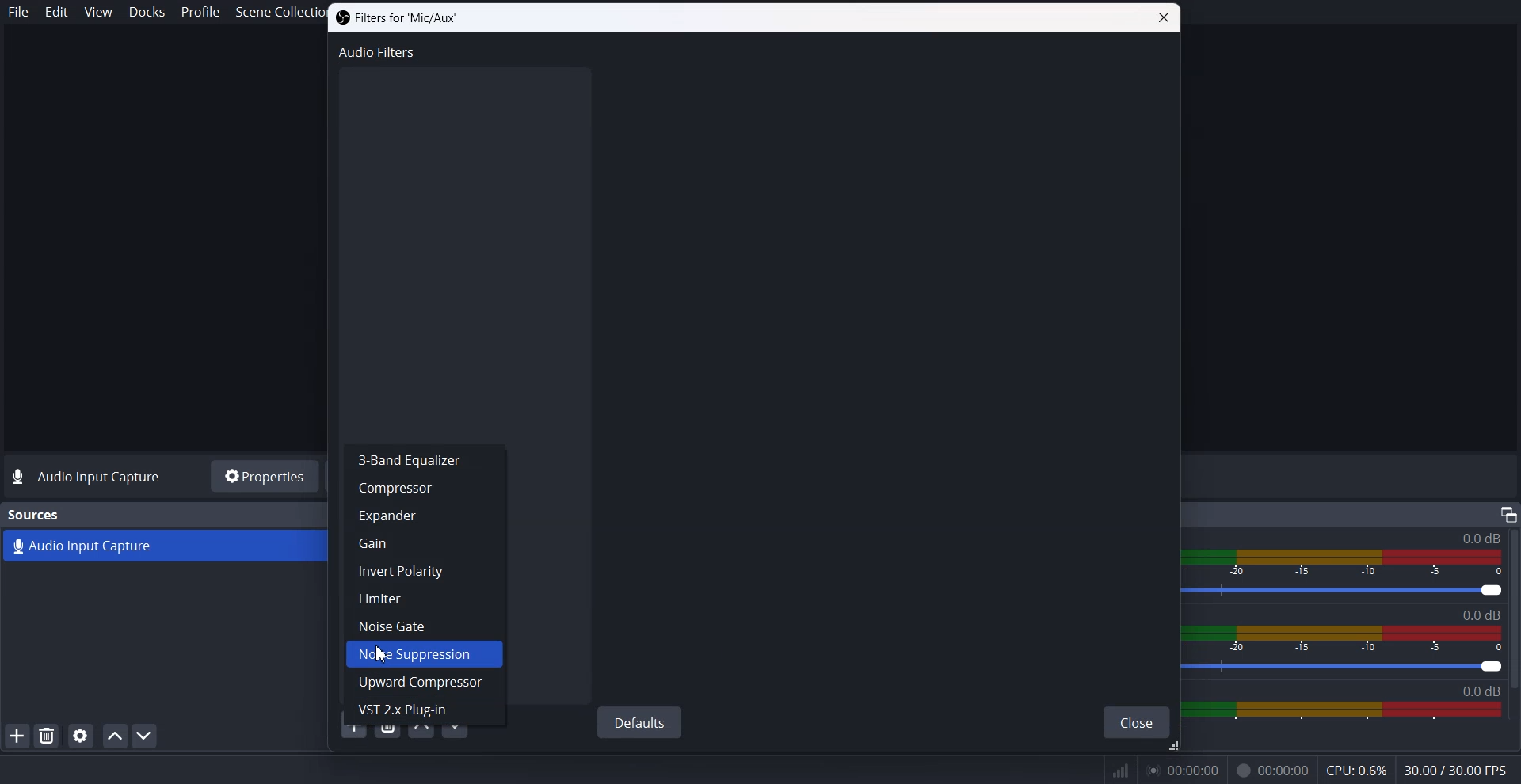 Image resolution: width=1521 pixels, height=784 pixels. What do you see at coordinates (19, 12) in the screenshot?
I see `File` at bounding box center [19, 12].